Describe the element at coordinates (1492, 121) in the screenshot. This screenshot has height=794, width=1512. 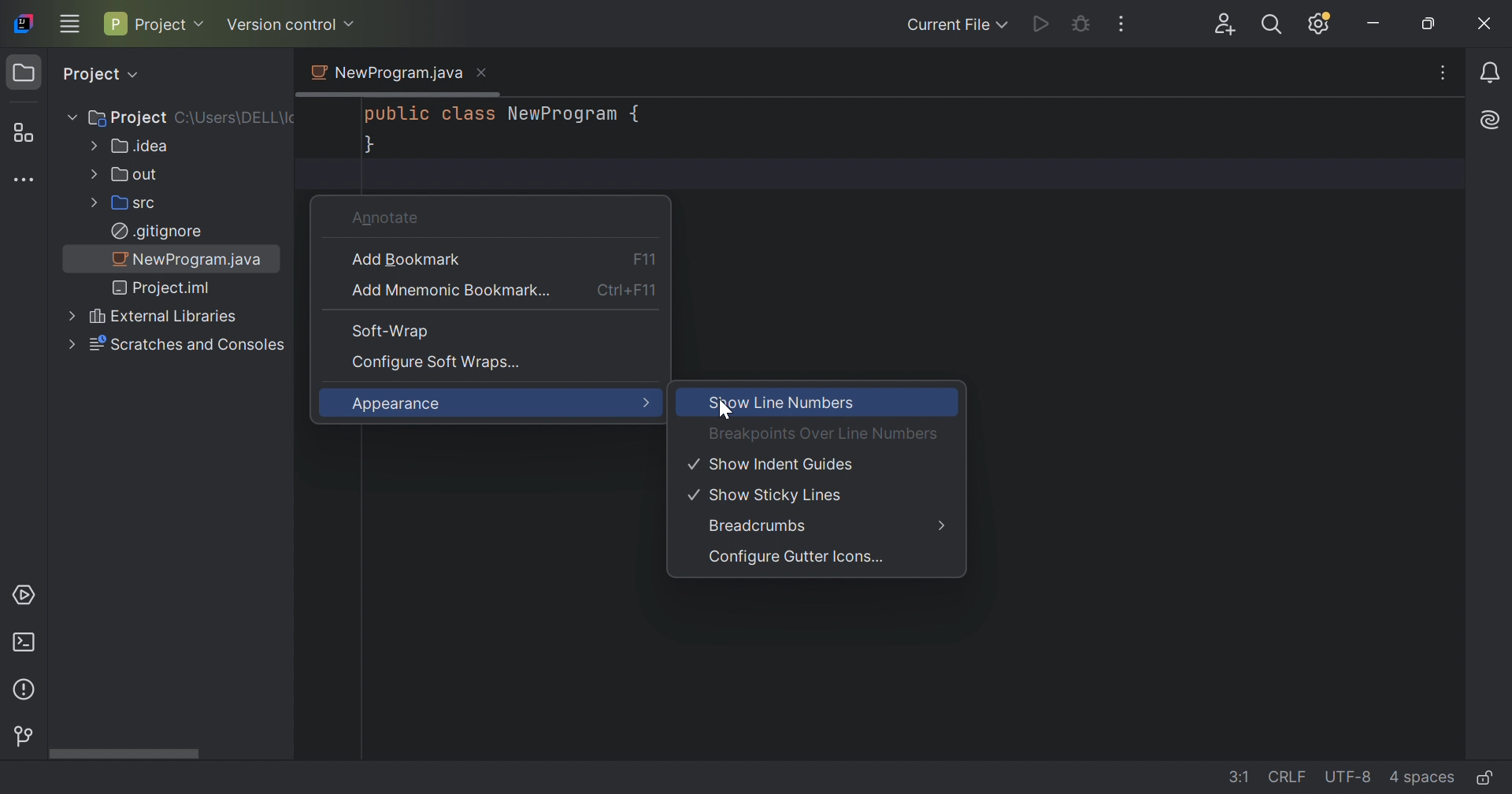
I see `AI assistant` at that location.